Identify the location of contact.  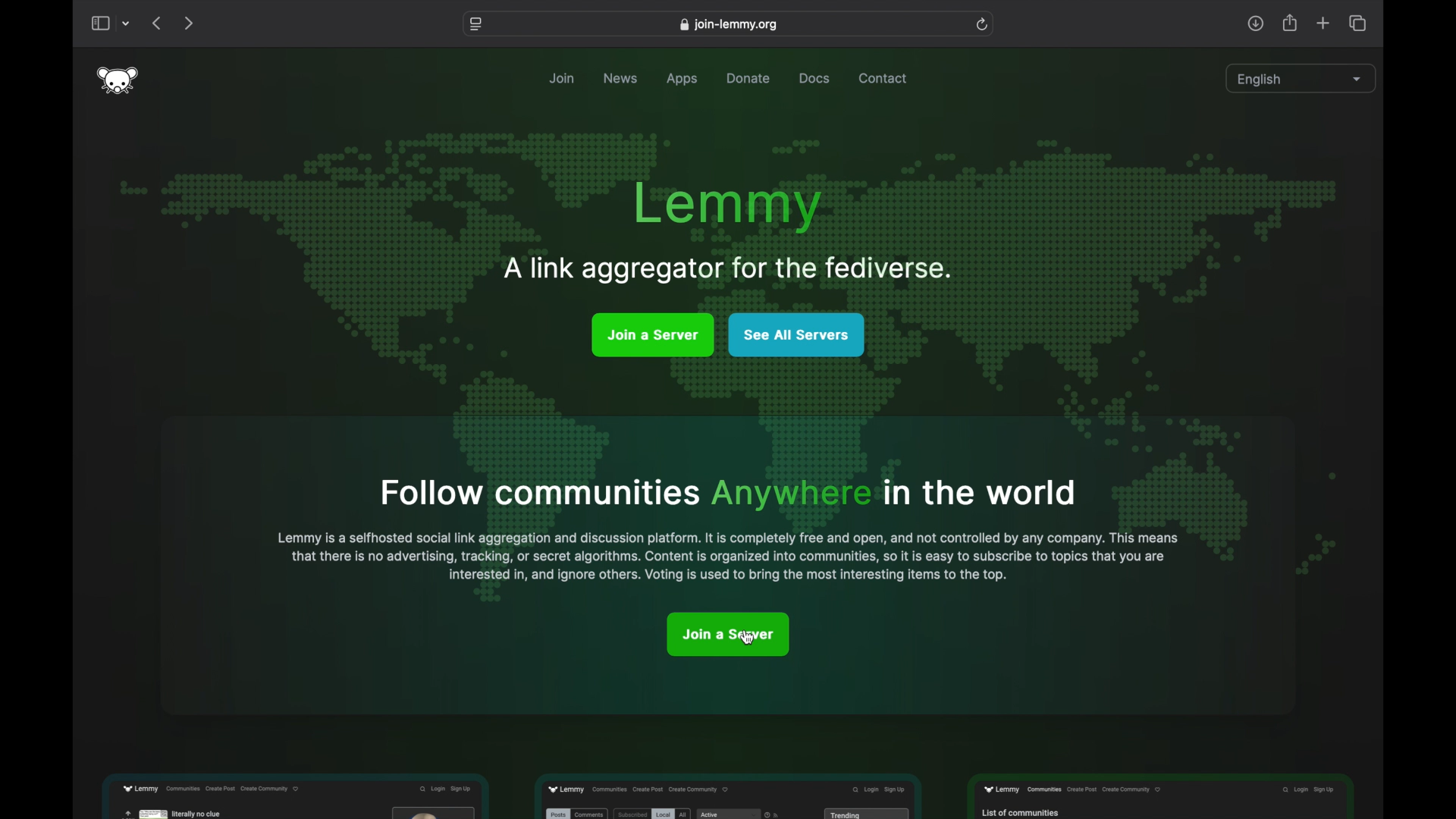
(883, 79).